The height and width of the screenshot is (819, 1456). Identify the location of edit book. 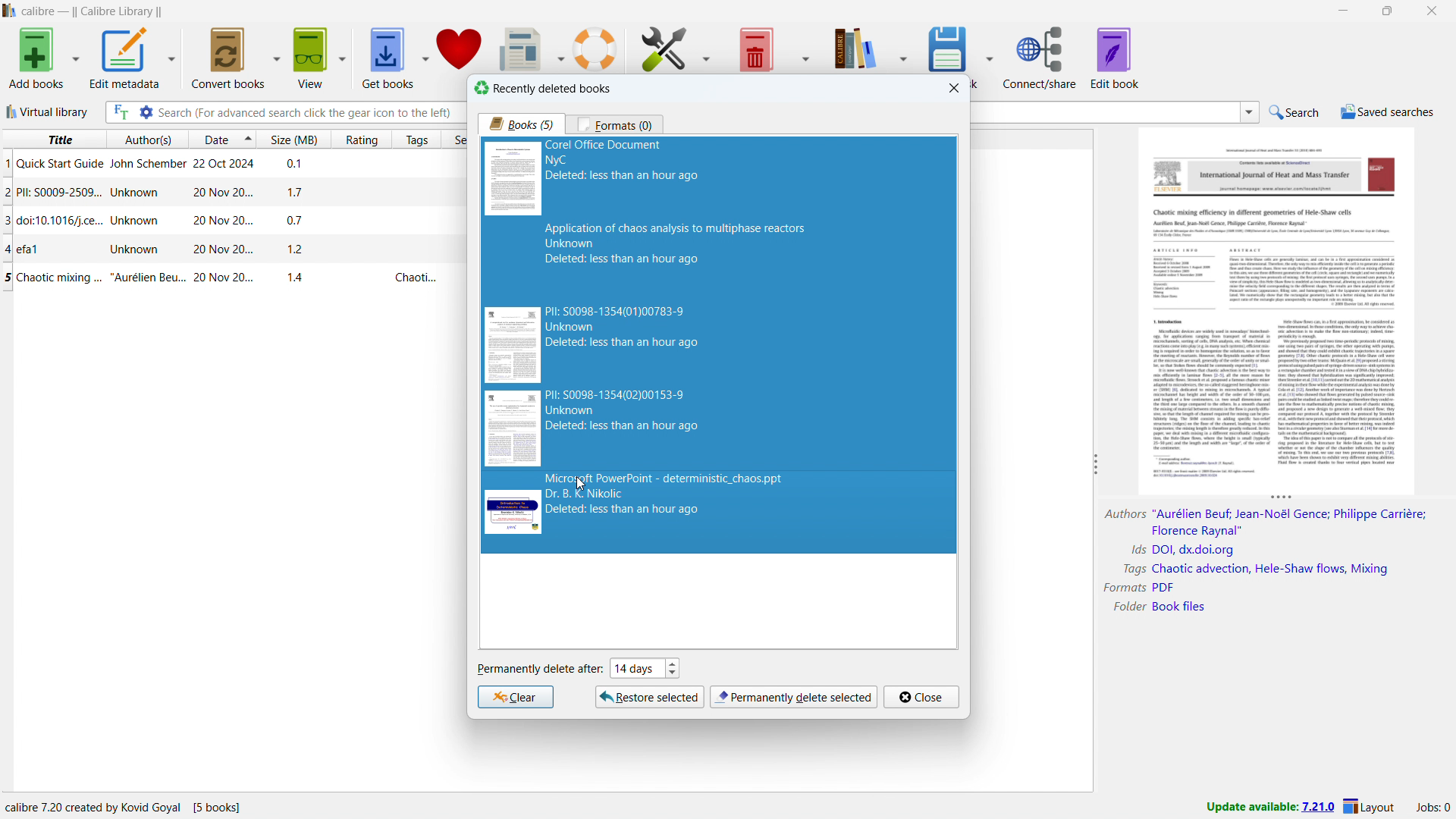
(1115, 57).